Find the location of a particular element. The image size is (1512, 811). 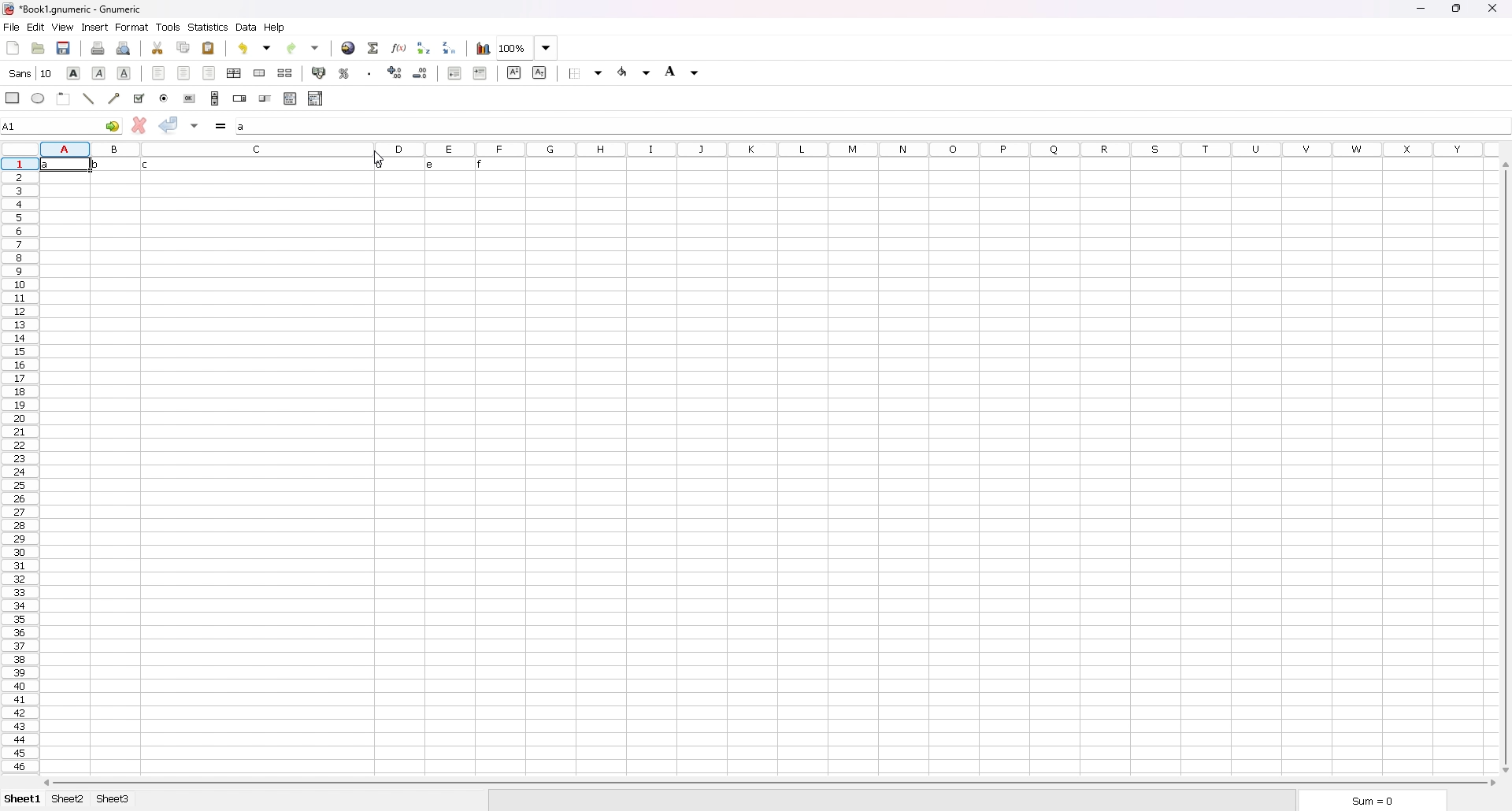

sum is located at coordinates (1368, 799).